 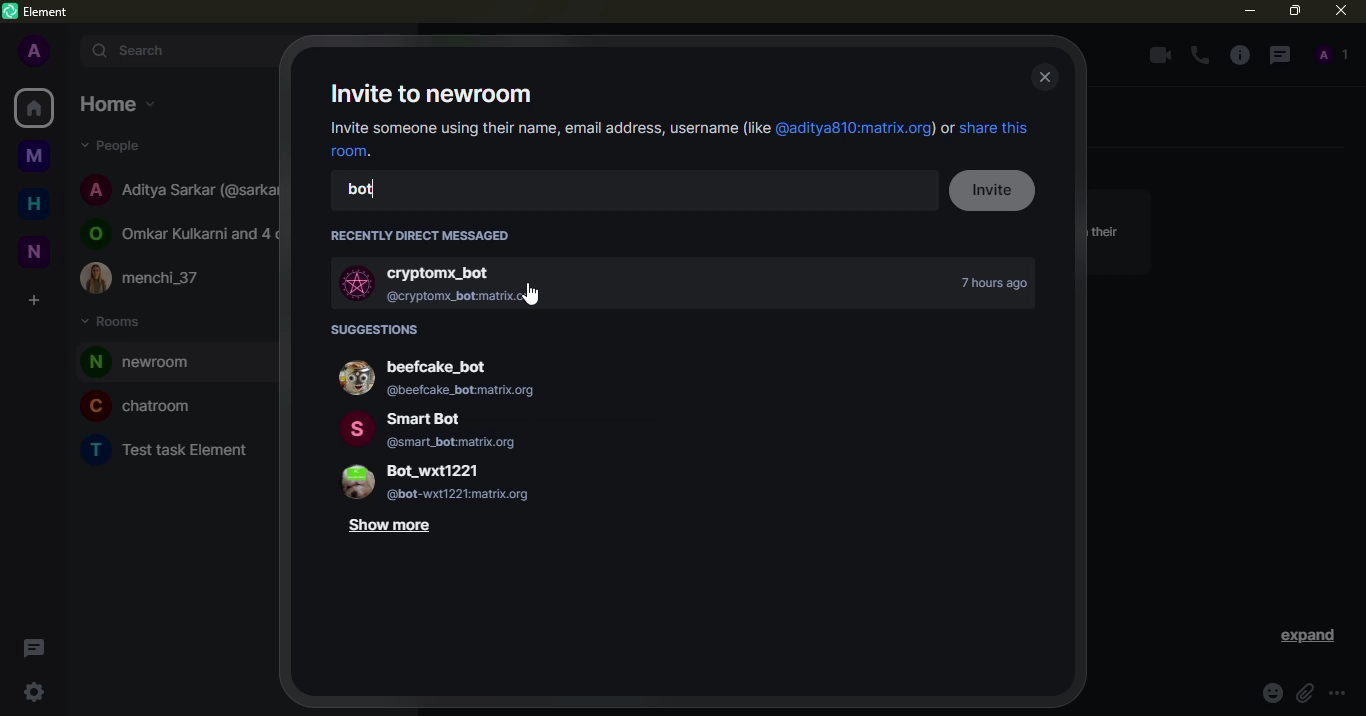 What do you see at coordinates (434, 483) in the screenshot?
I see `Bot_wxt1221
@bot-wxt1221:matrix.org` at bounding box center [434, 483].